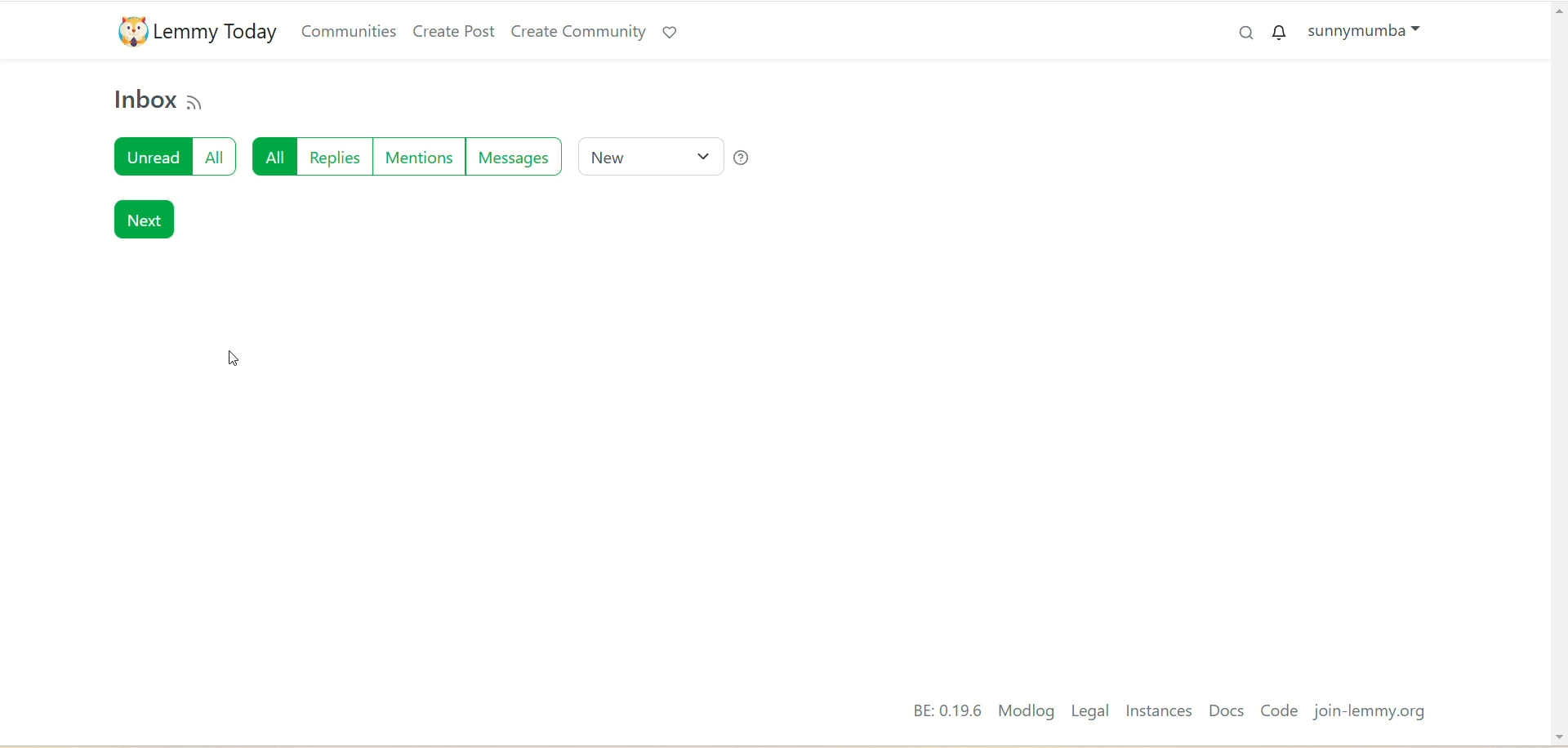  What do you see at coordinates (672, 32) in the screenshot?
I see `support lemmy` at bounding box center [672, 32].